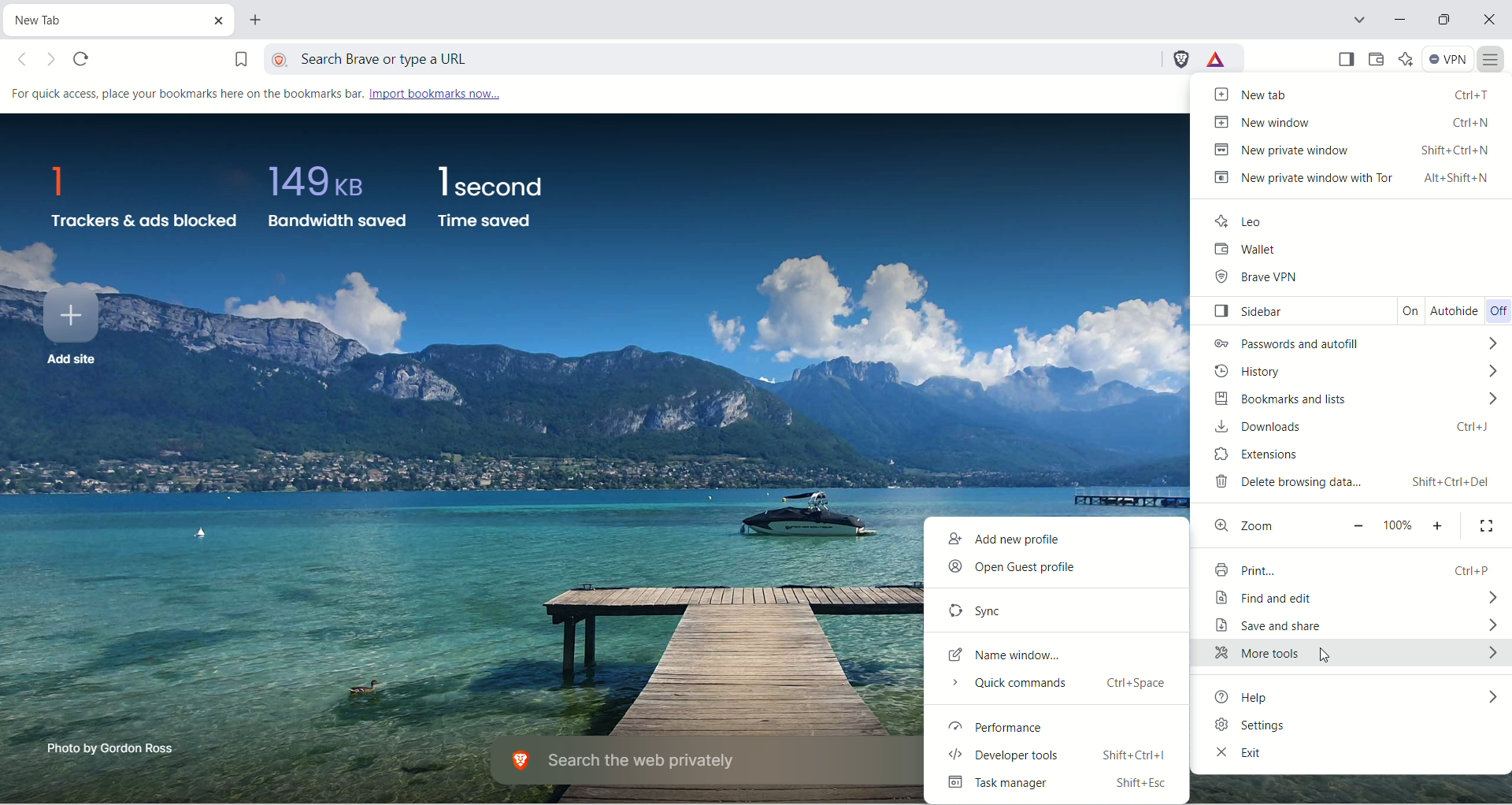  Describe the element at coordinates (1354, 94) in the screenshot. I see `new tab` at that location.